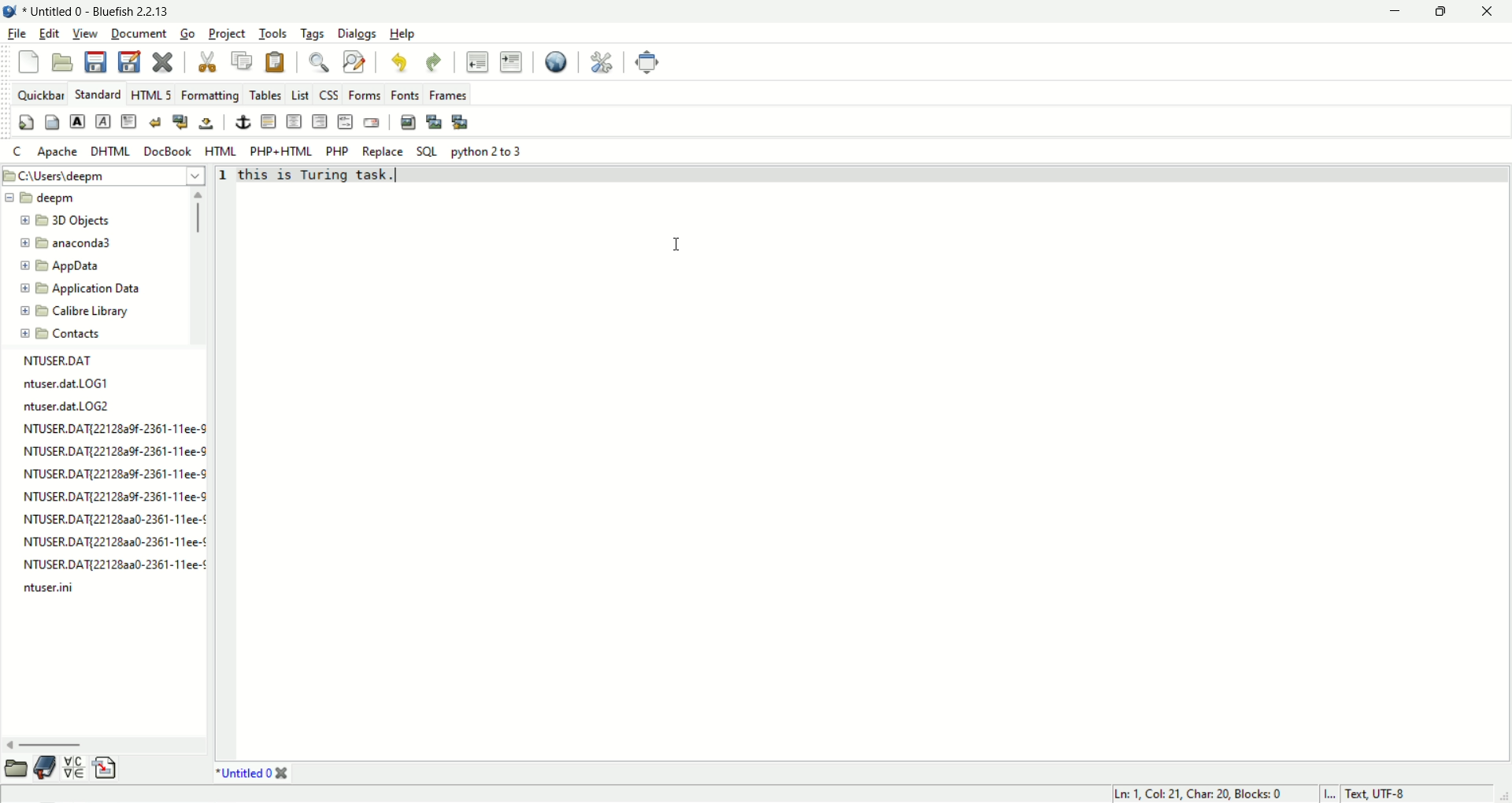 The height and width of the screenshot is (803, 1512). Describe the element at coordinates (129, 61) in the screenshot. I see `save as` at that location.